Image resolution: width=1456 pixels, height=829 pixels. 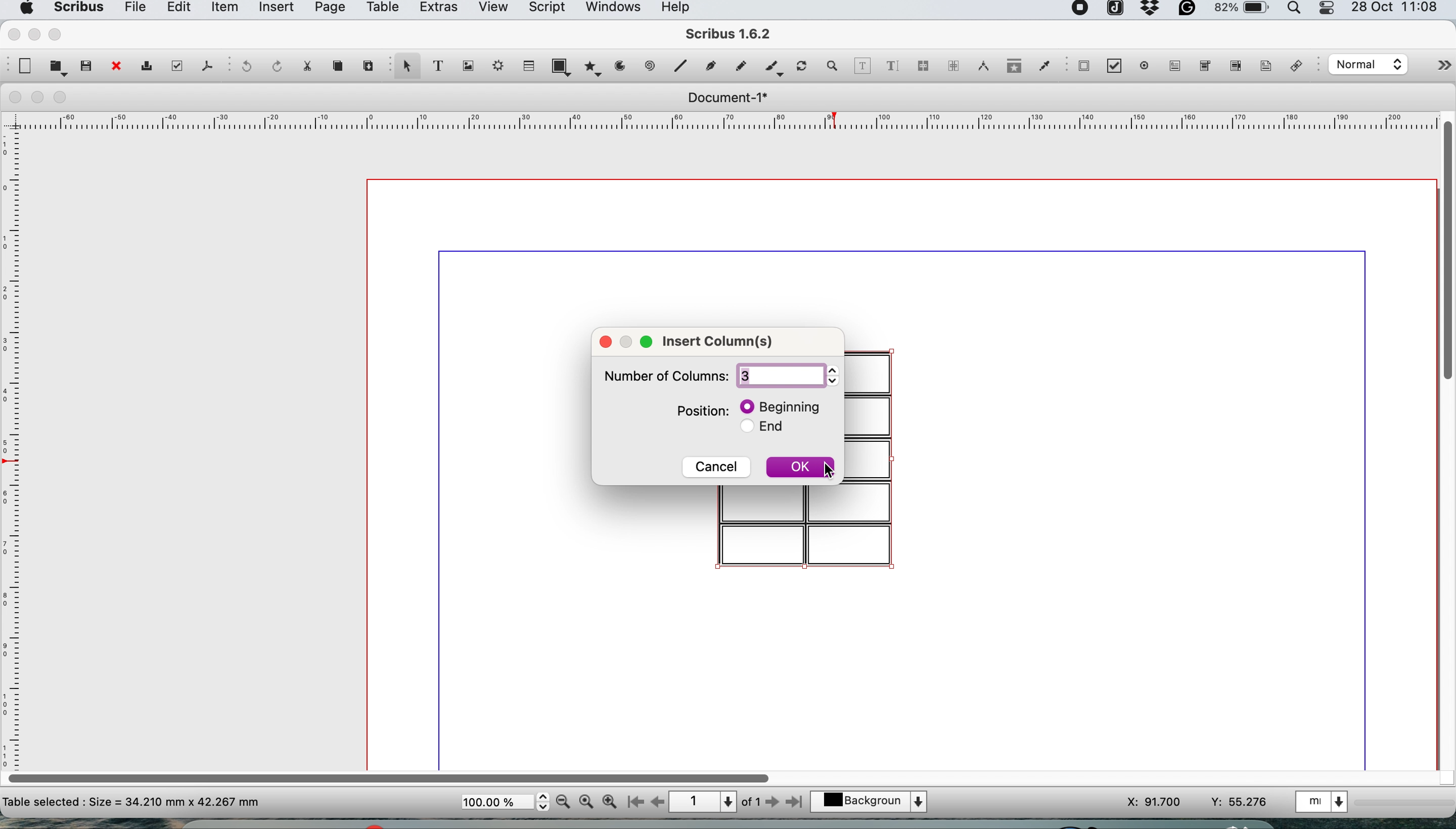 I want to click on ok, so click(x=796, y=469).